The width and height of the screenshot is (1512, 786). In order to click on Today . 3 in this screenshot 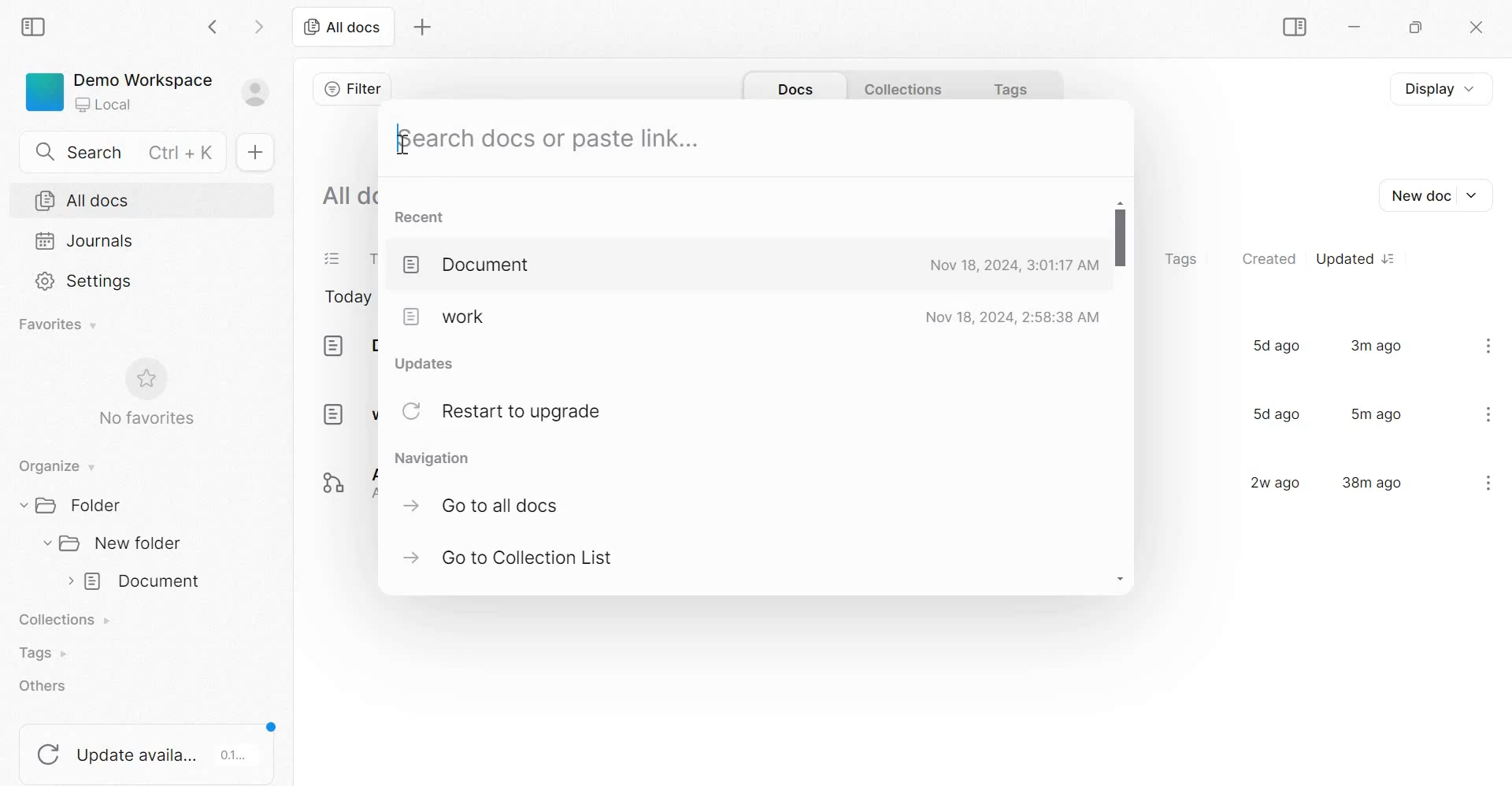, I will do `click(348, 298)`.